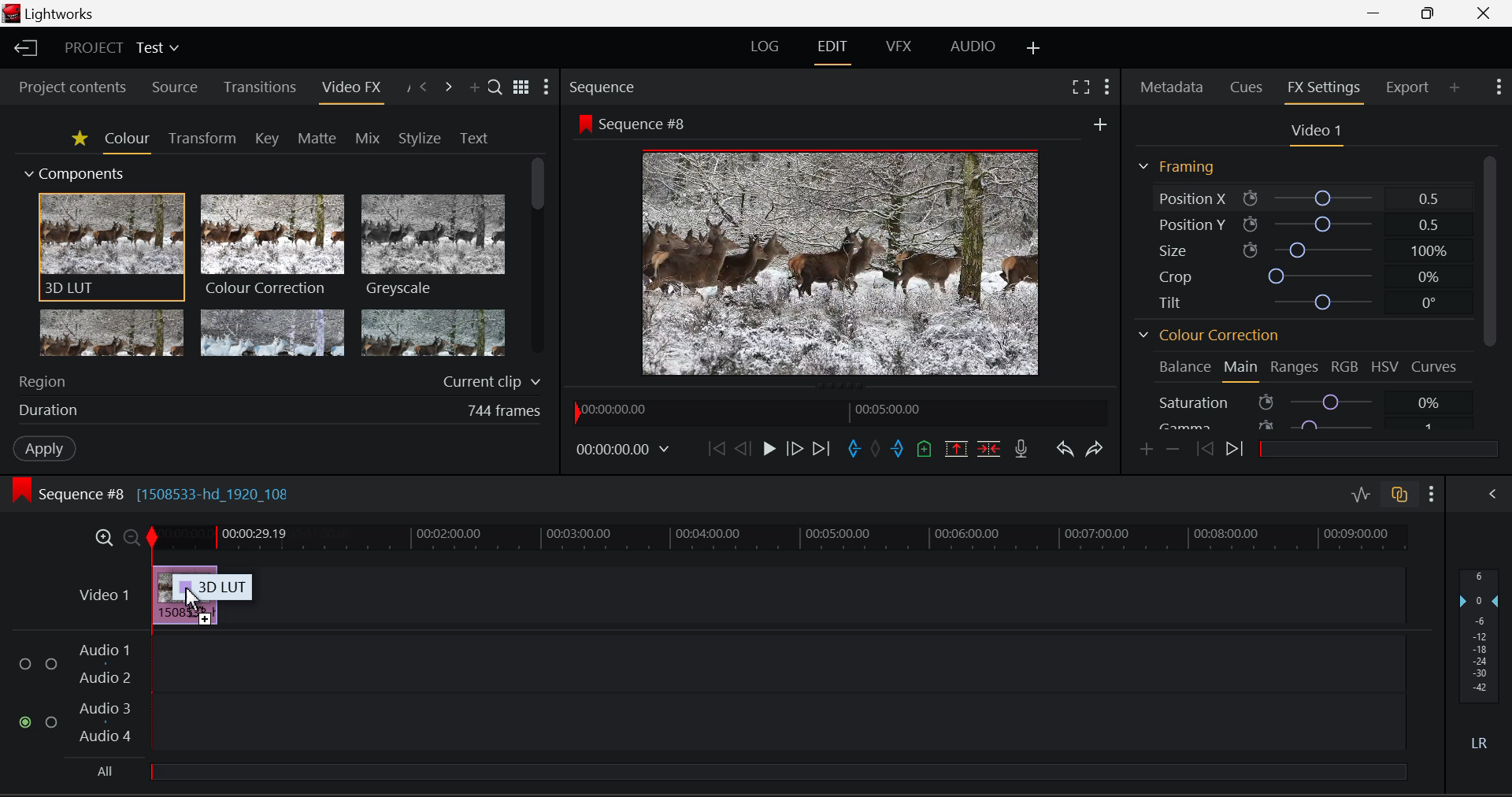 This screenshot has height=797, width=1512. I want to click on , so click(1099, 124).